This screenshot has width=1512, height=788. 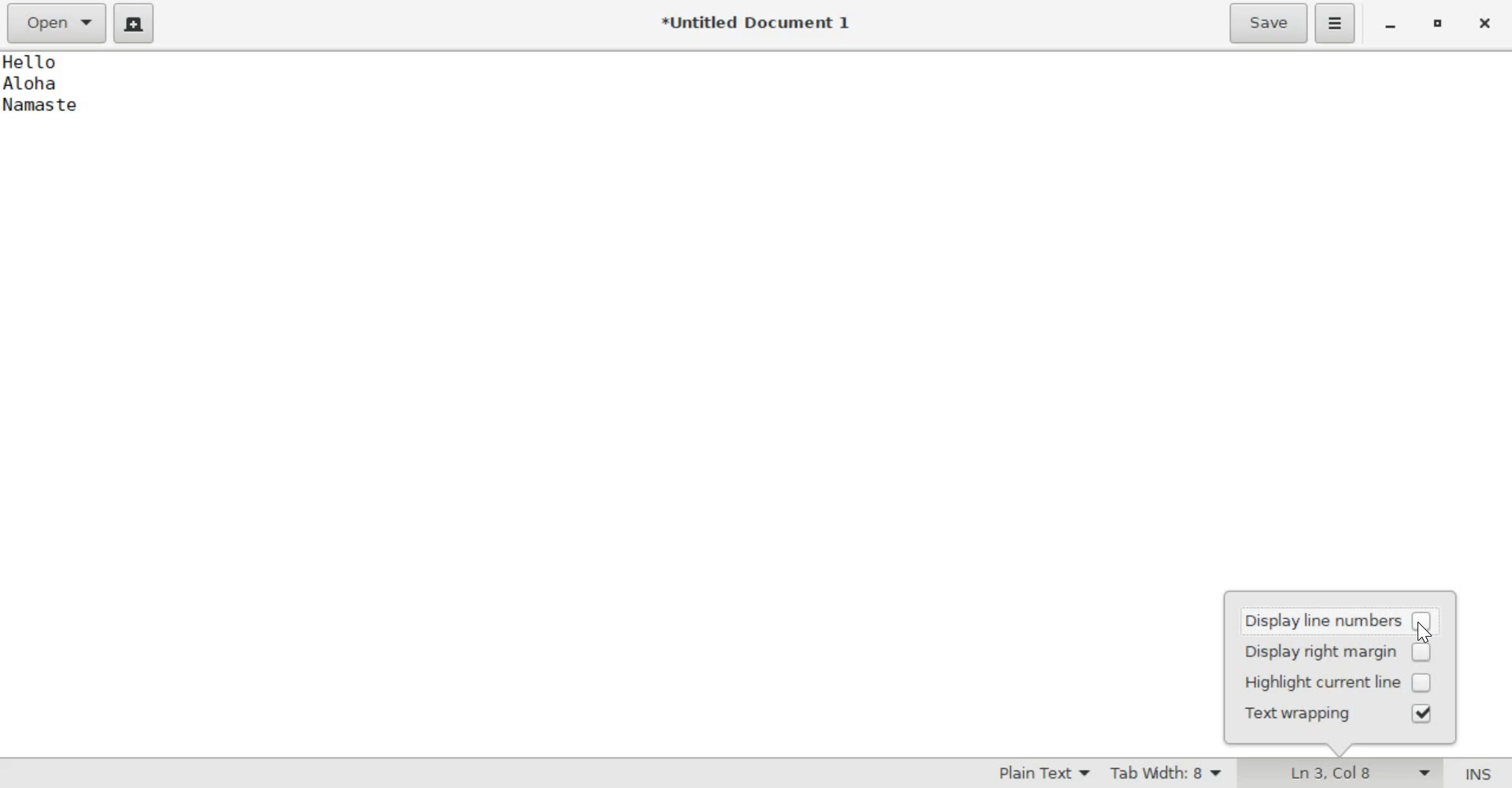 I want to click on text wrapping, so click(x=1341, y=716).